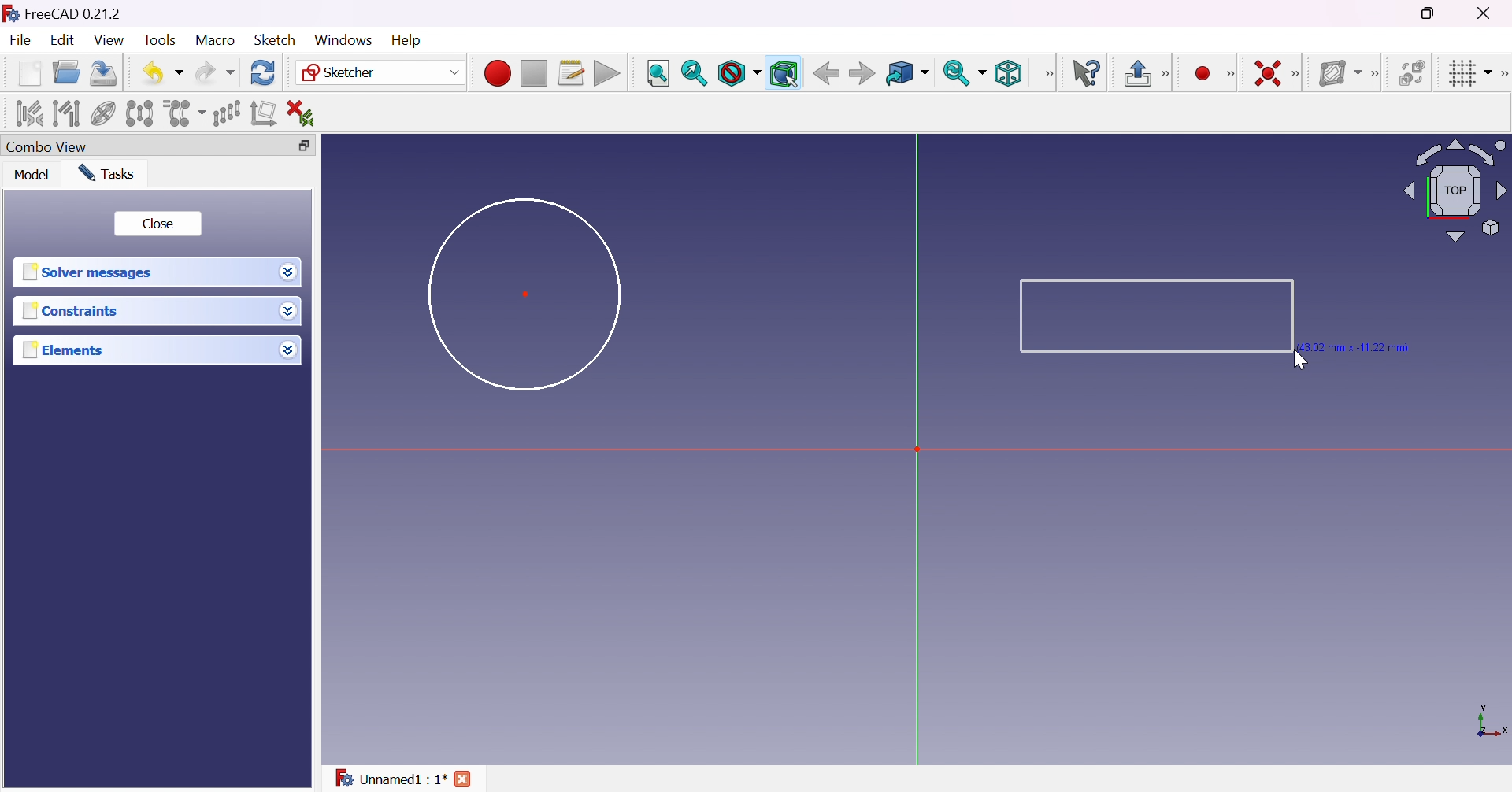  I want to click on Model, so click(31, 175).